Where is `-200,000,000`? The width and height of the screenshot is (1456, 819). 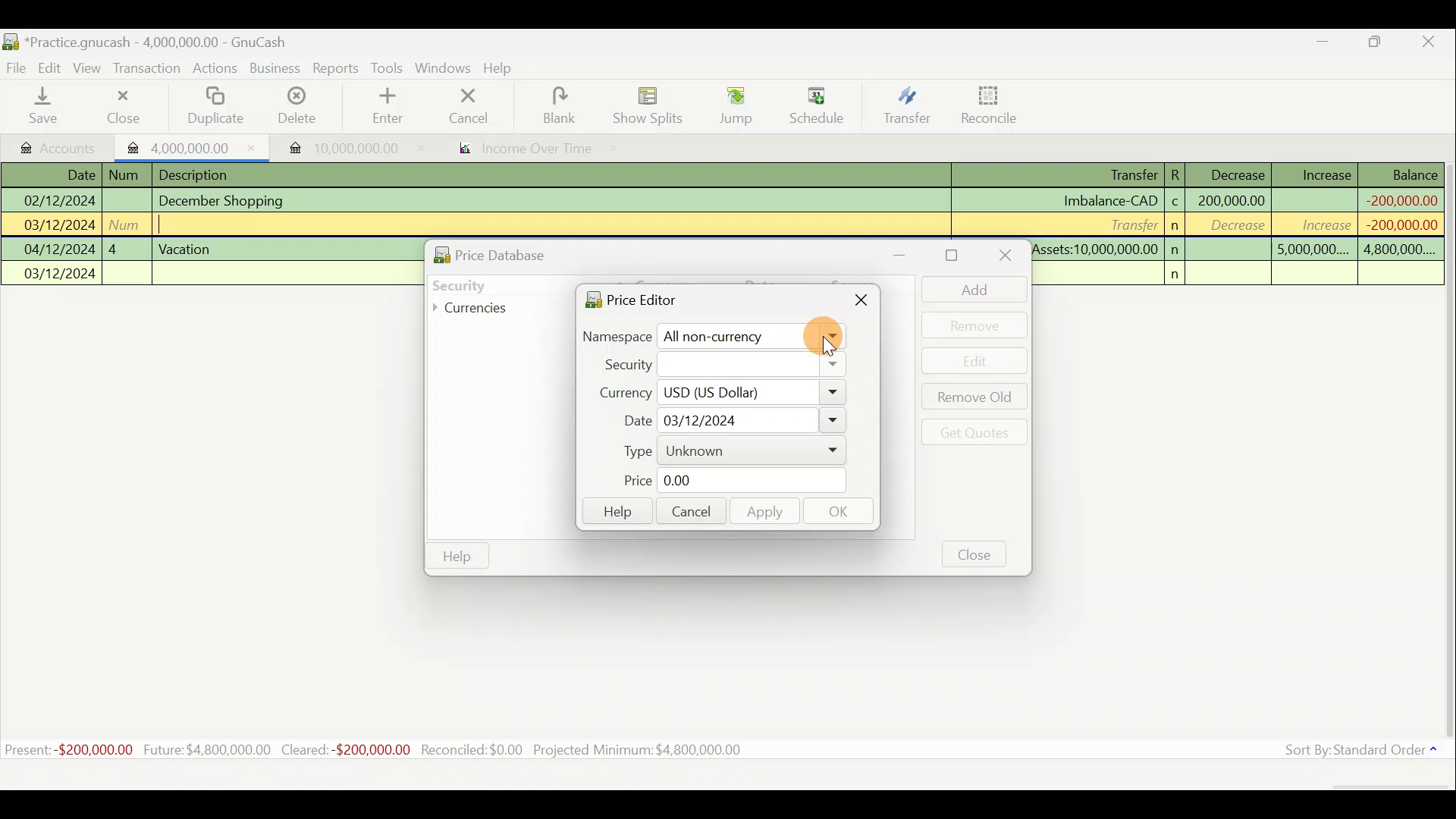 -200,000,000 is located at coordinates (1399, 199).